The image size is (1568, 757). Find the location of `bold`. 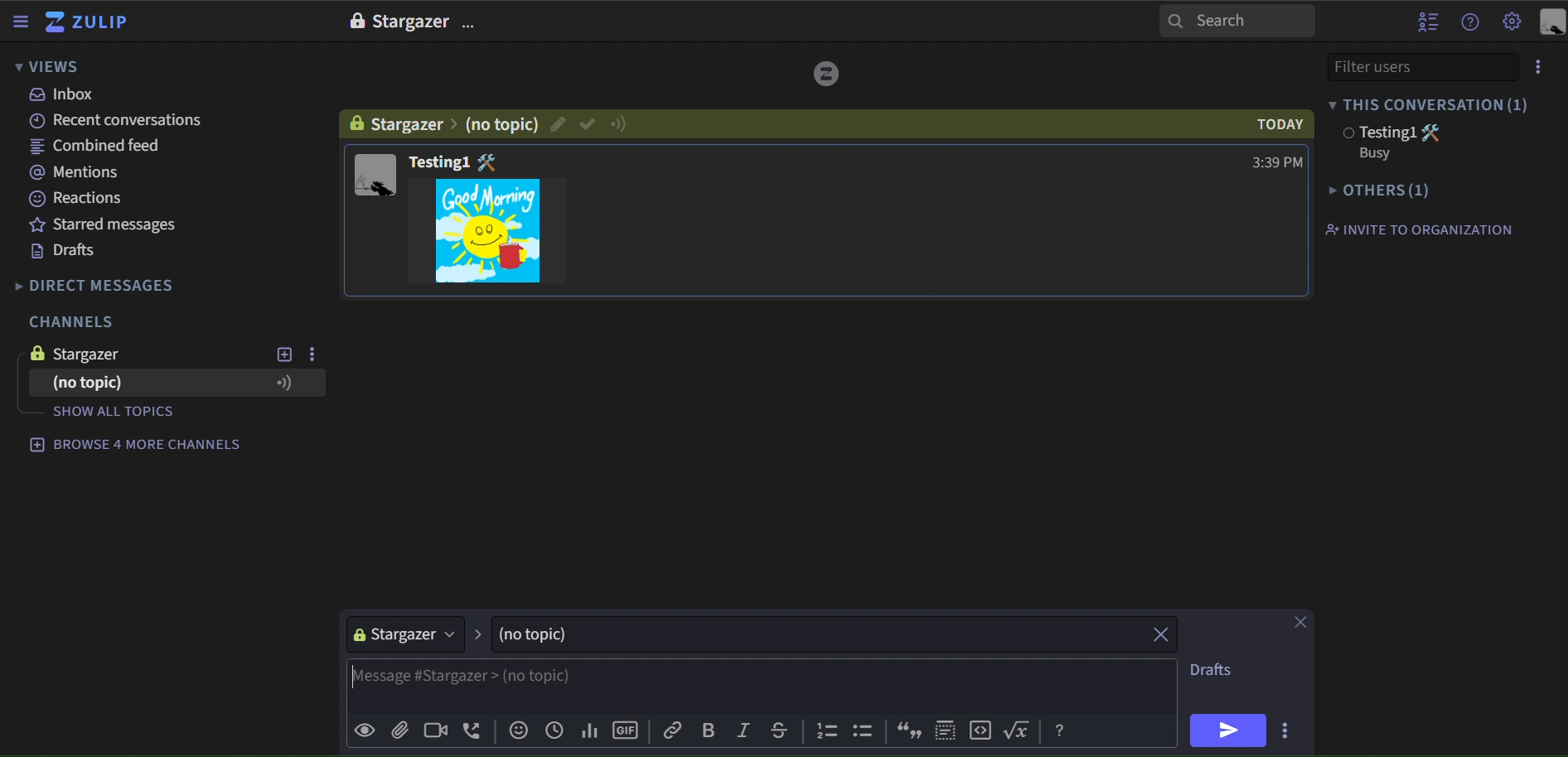

bold is located at coordinates (708, 730).